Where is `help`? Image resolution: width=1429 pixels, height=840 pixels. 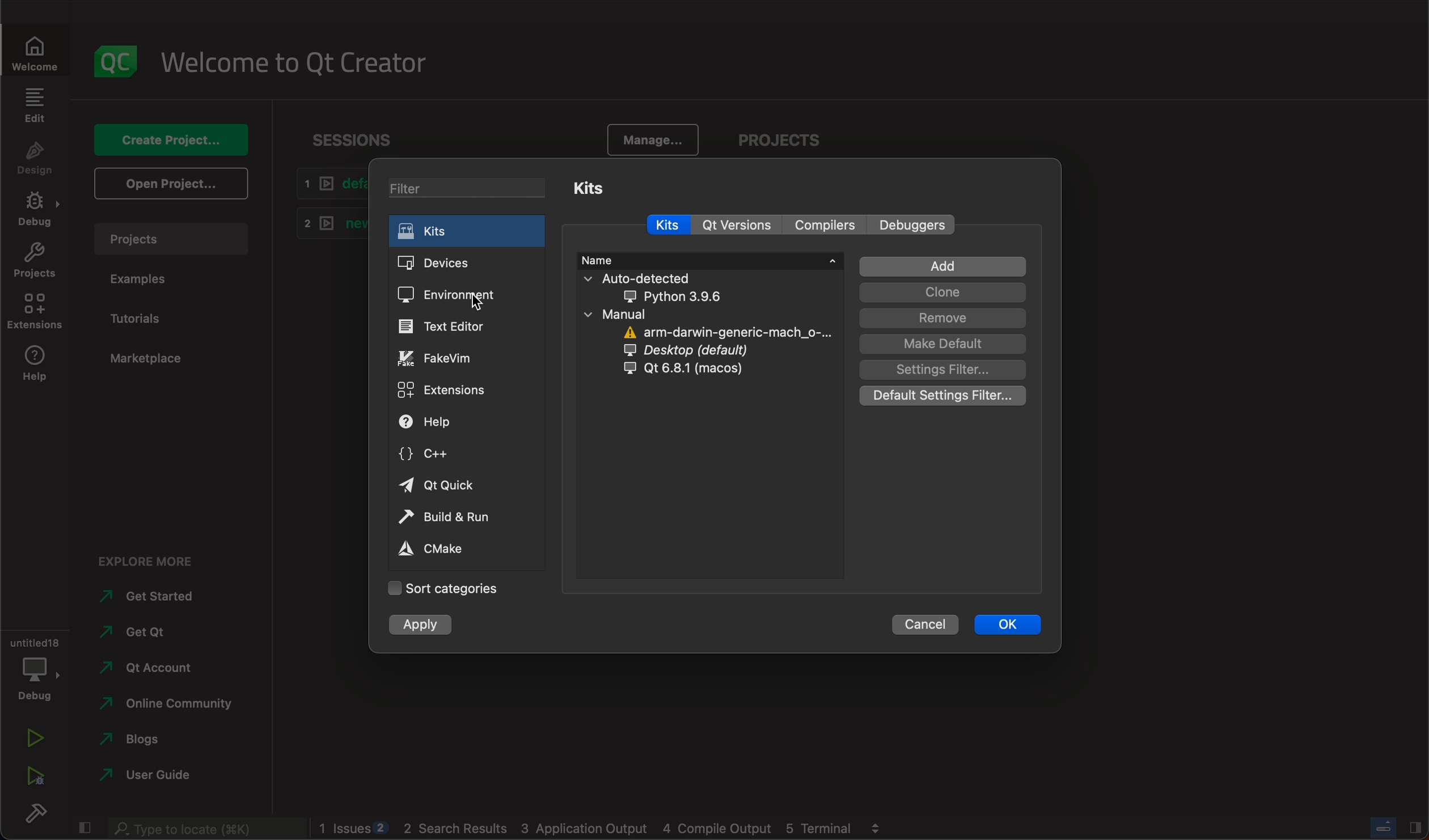 help is located at coordinates (453, 423).